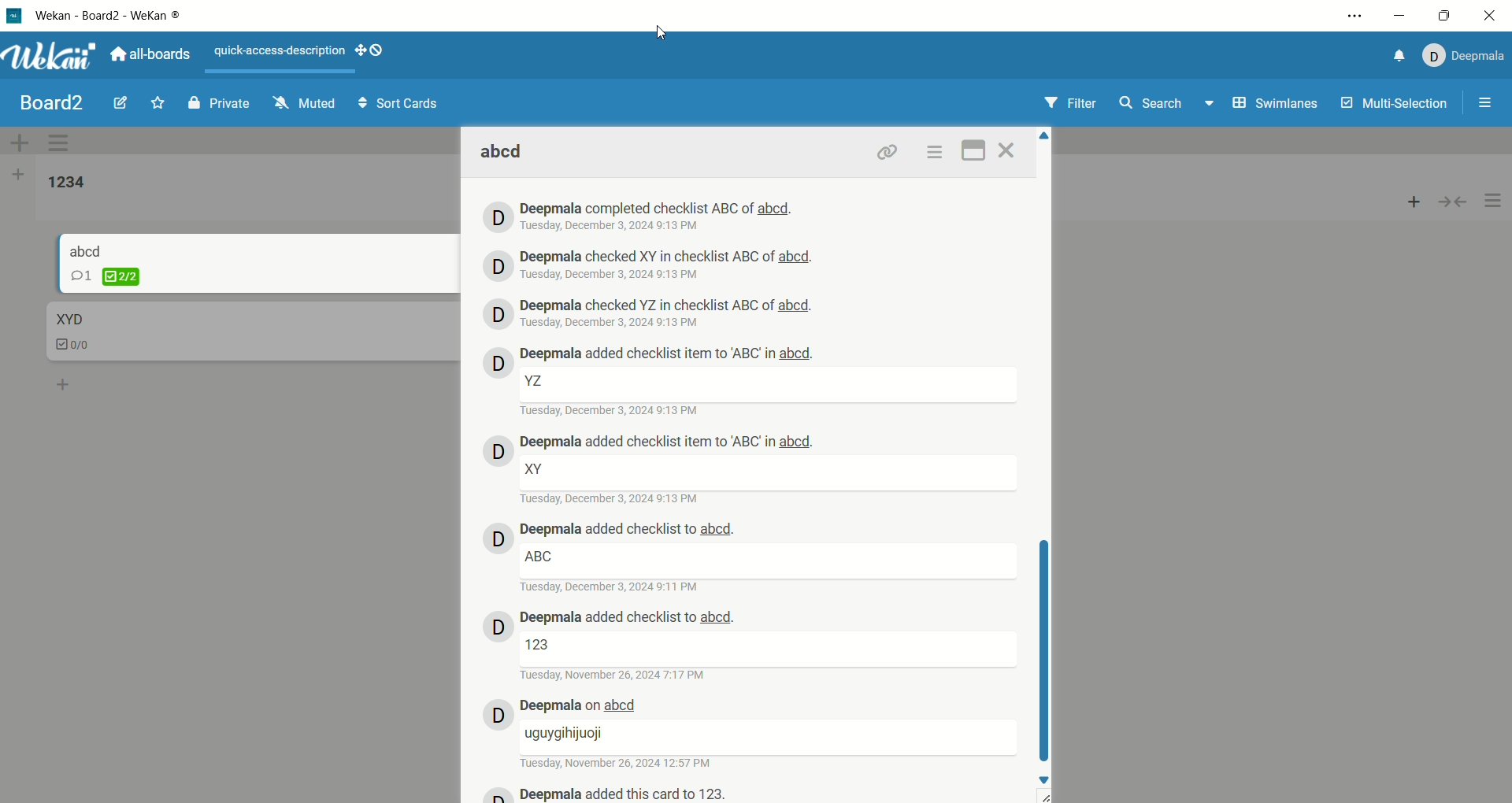  I want to click on down, so click(1043, 781).